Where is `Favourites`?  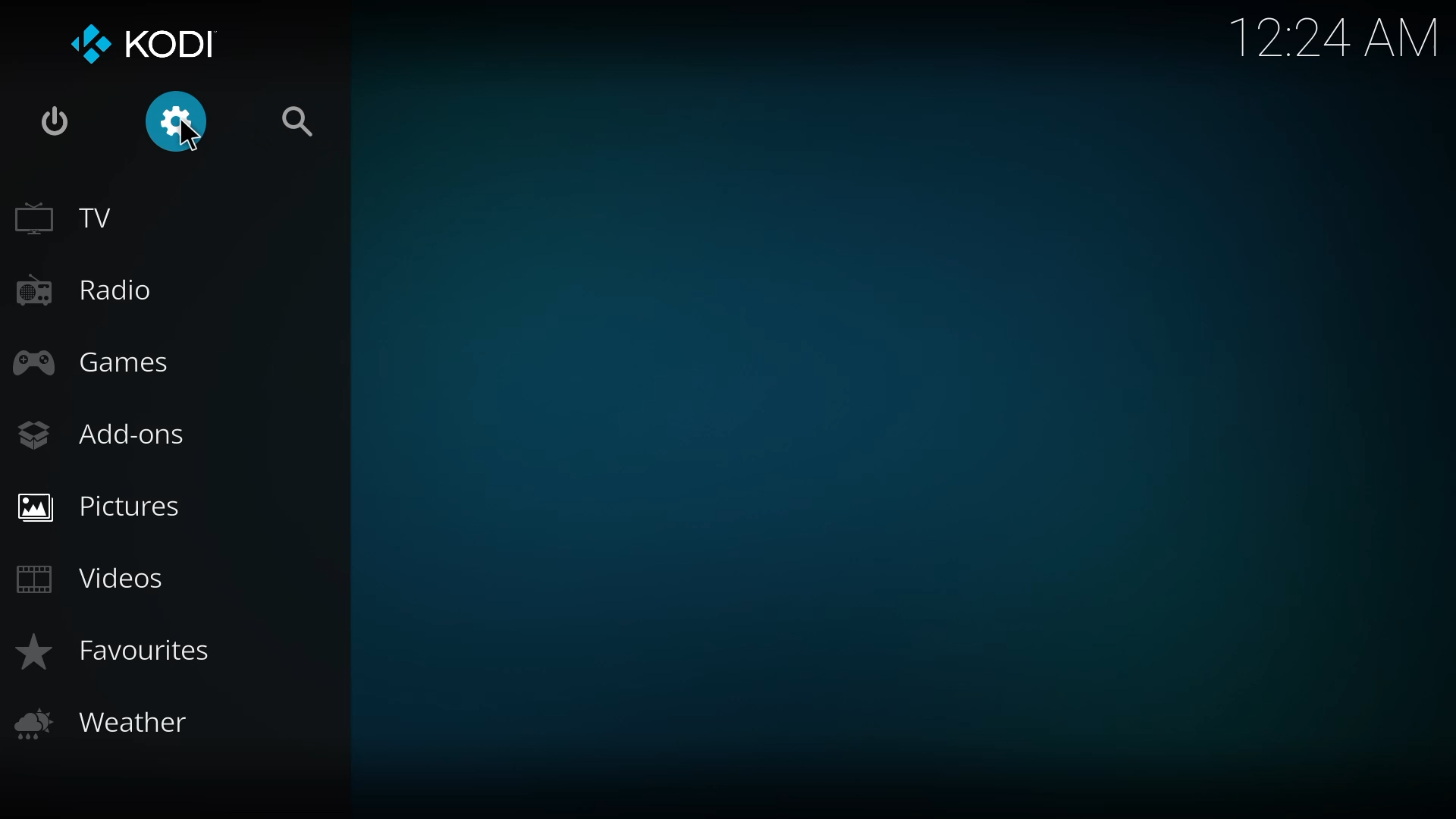
Favourites is located at coordinates (111, 652).